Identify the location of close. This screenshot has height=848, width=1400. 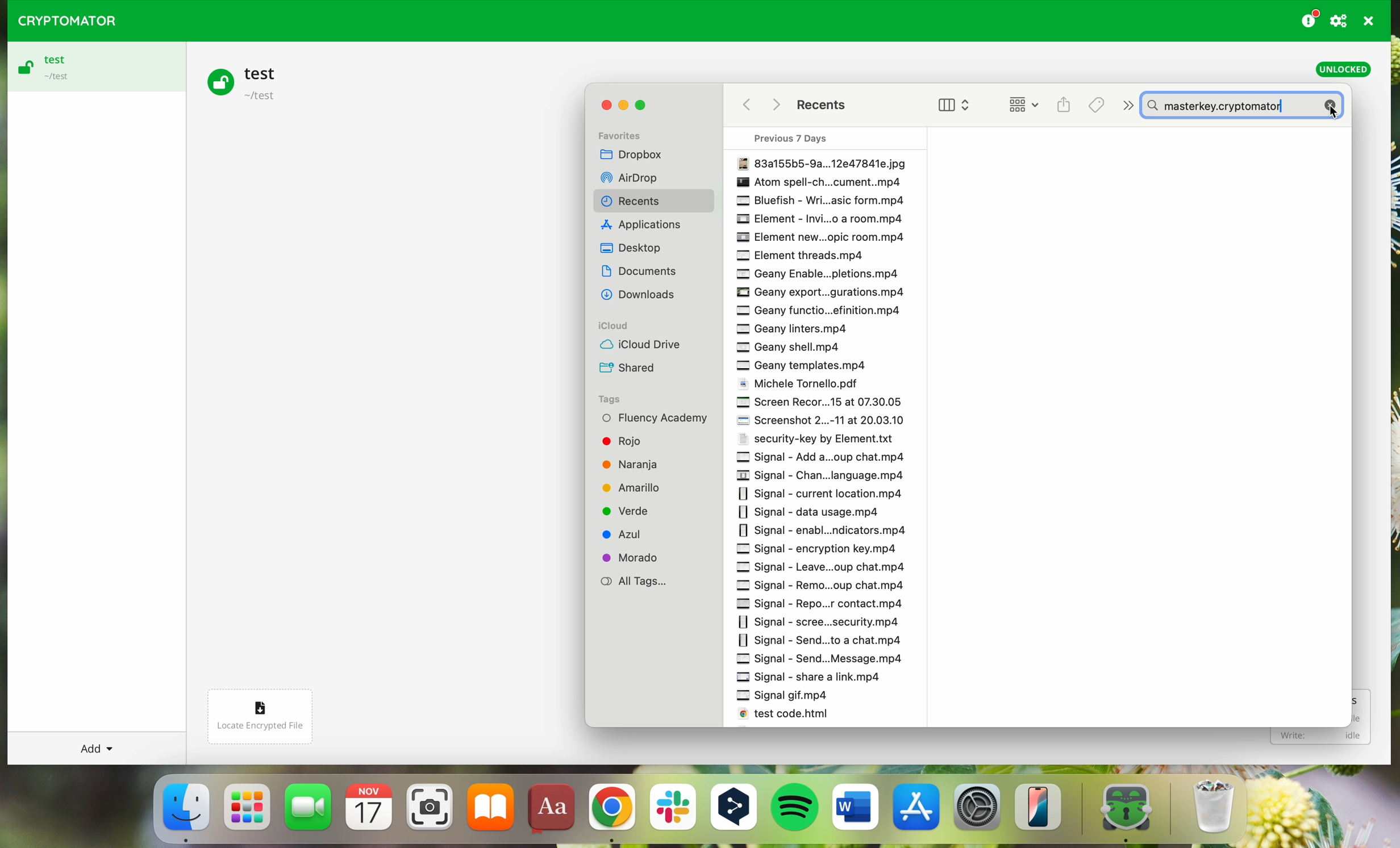
(602, 107).